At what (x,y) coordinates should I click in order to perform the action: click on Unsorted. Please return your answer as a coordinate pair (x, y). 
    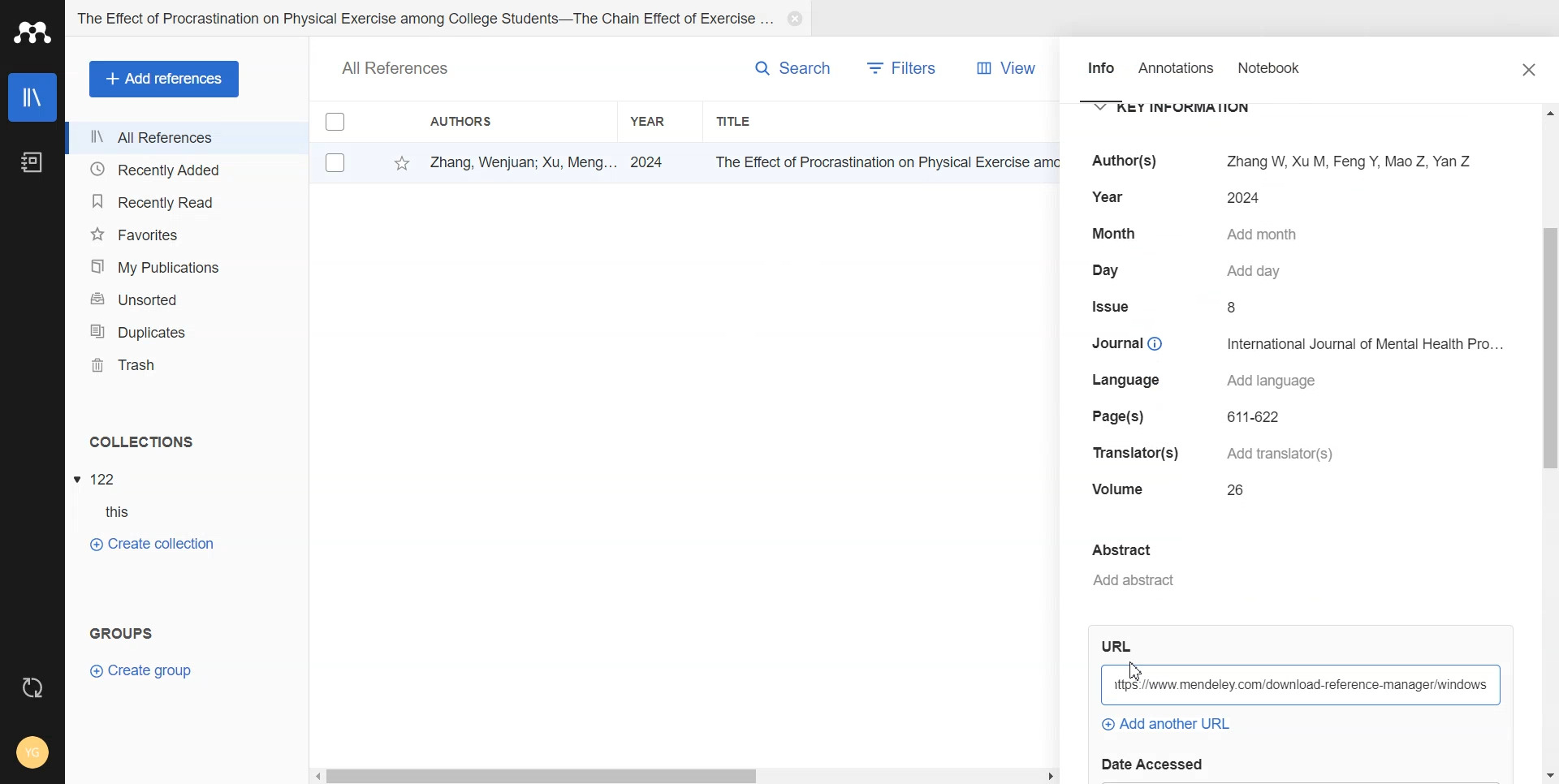
    Looking at the image, I should click on (187, 298).